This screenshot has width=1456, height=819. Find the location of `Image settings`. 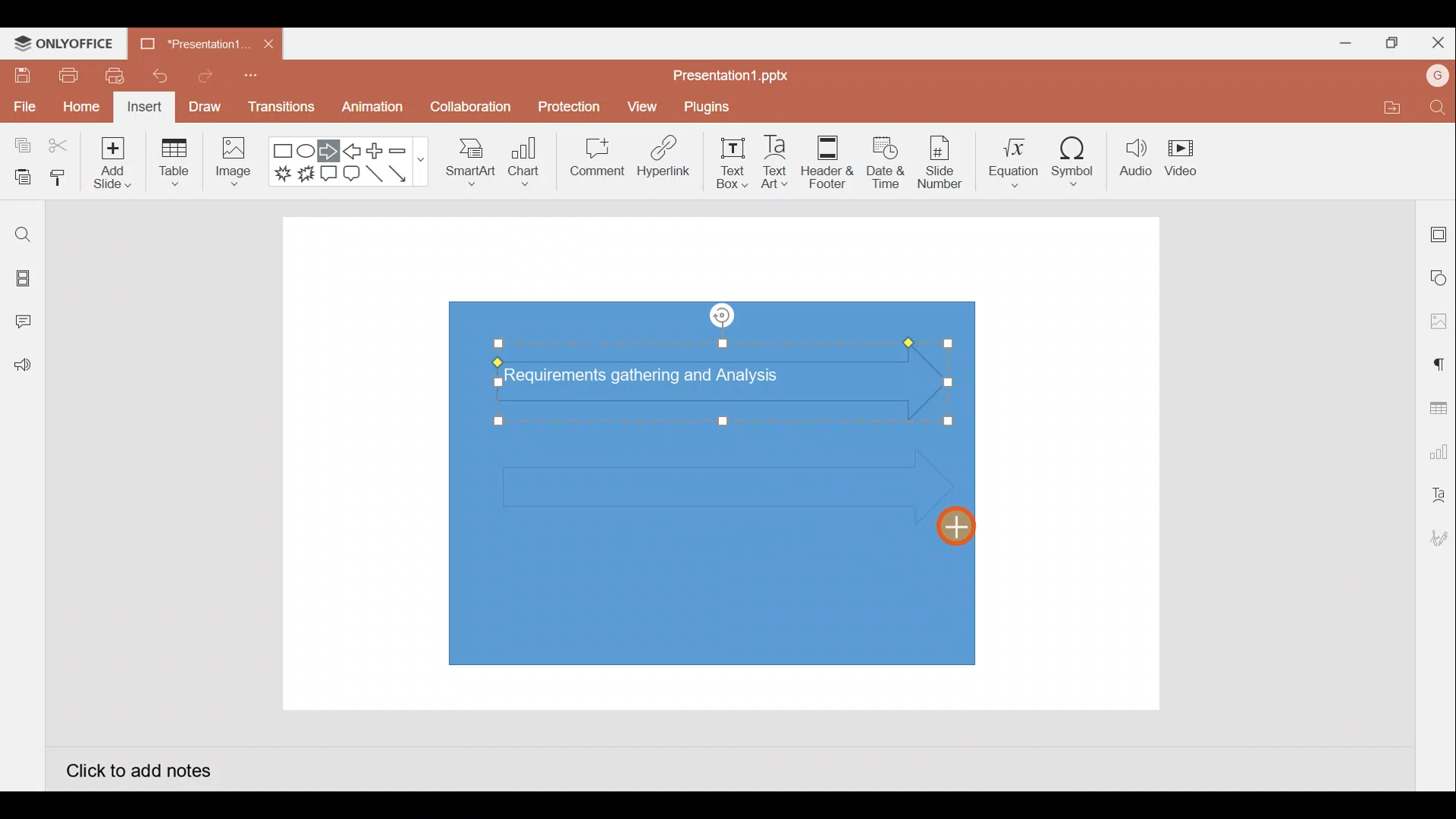

Image settings is located at coordinates (1439, 322).